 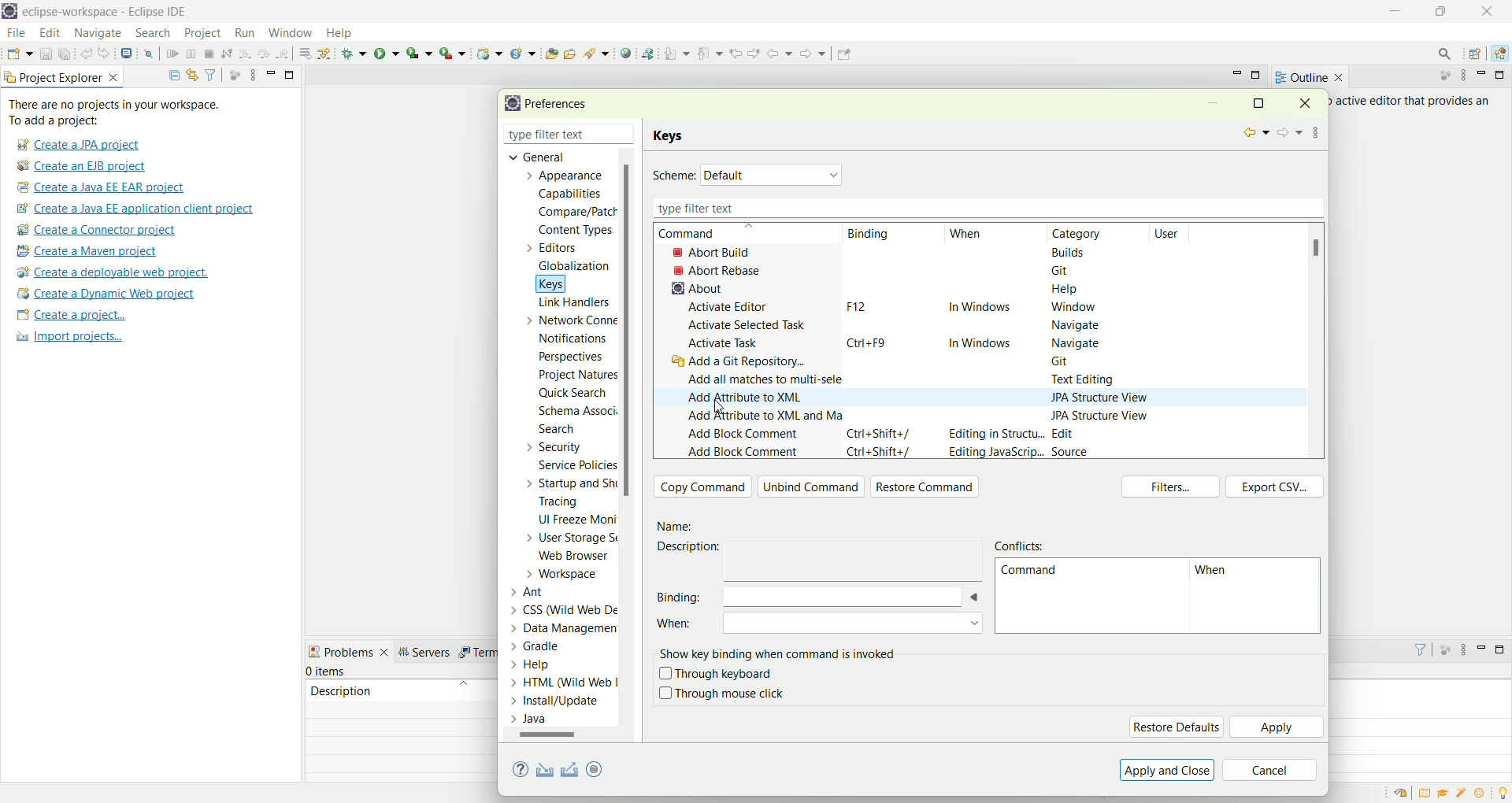 What do you see at coordinates (632, 446) in the screenshot?
I see `scroll bar` at bounding box center [632, 446].